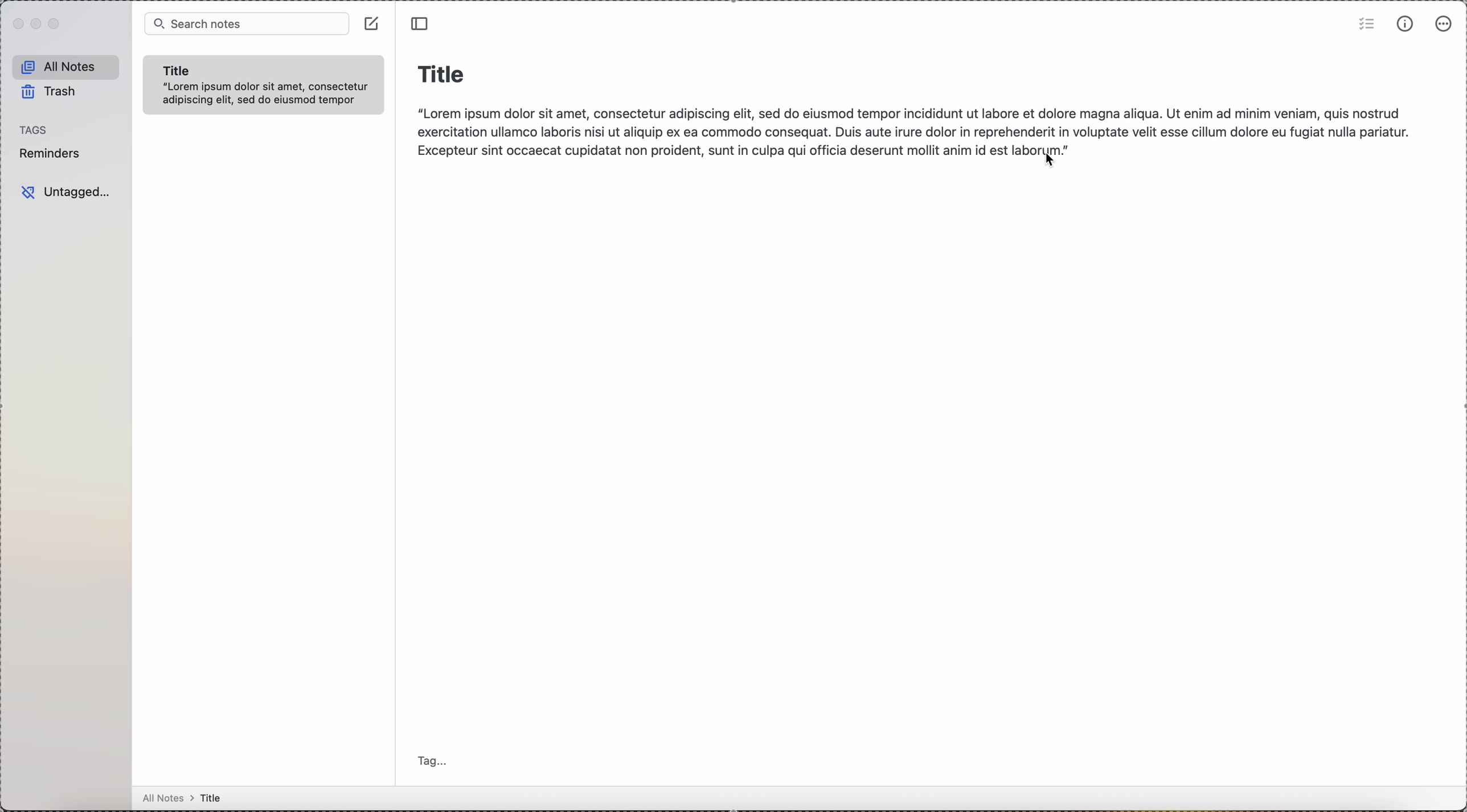 The image size is (1467, 812). I want to click on untagged, so click(65, 193).